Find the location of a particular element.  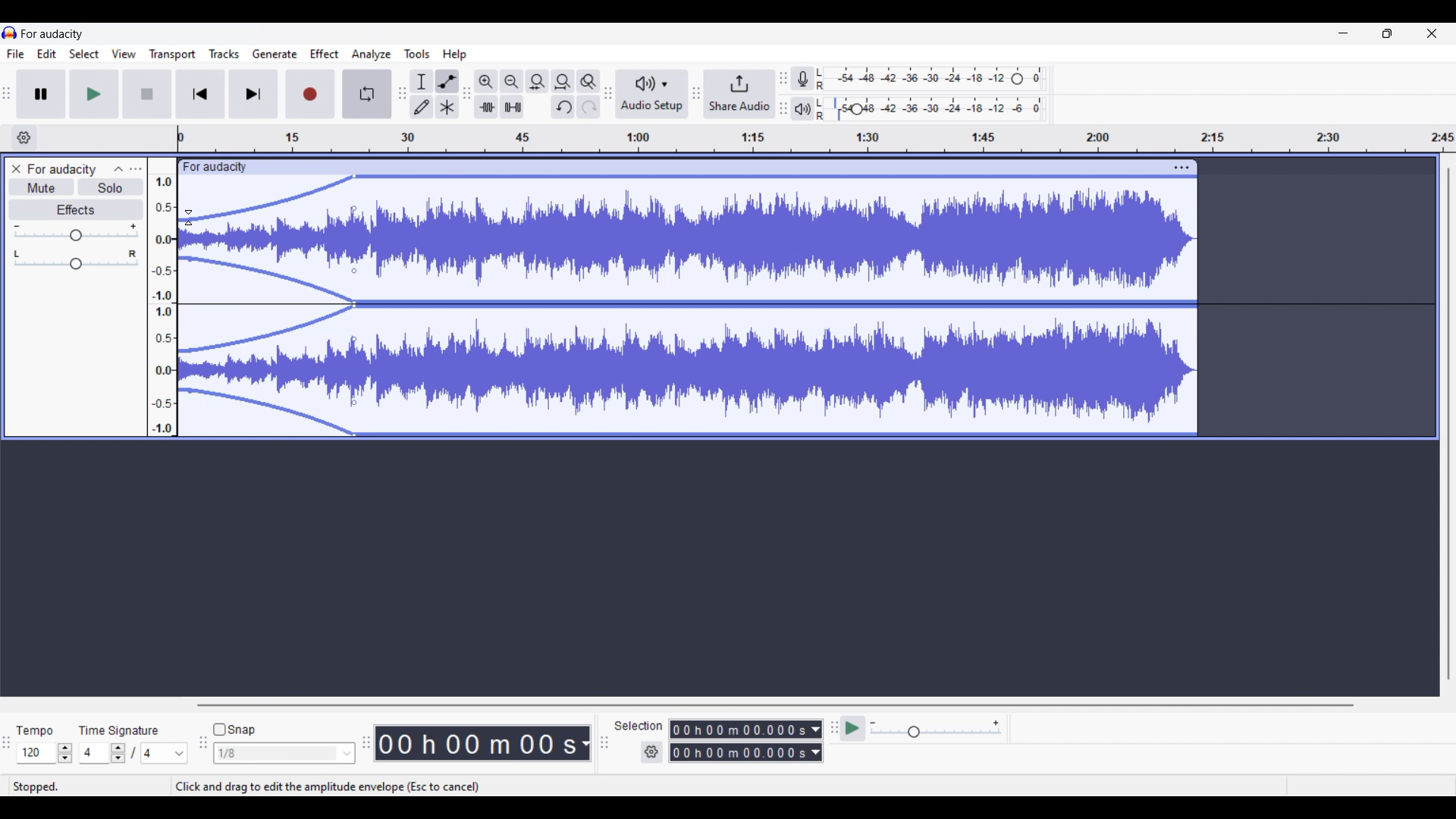

Current duration is located at coordinates (475, 743).